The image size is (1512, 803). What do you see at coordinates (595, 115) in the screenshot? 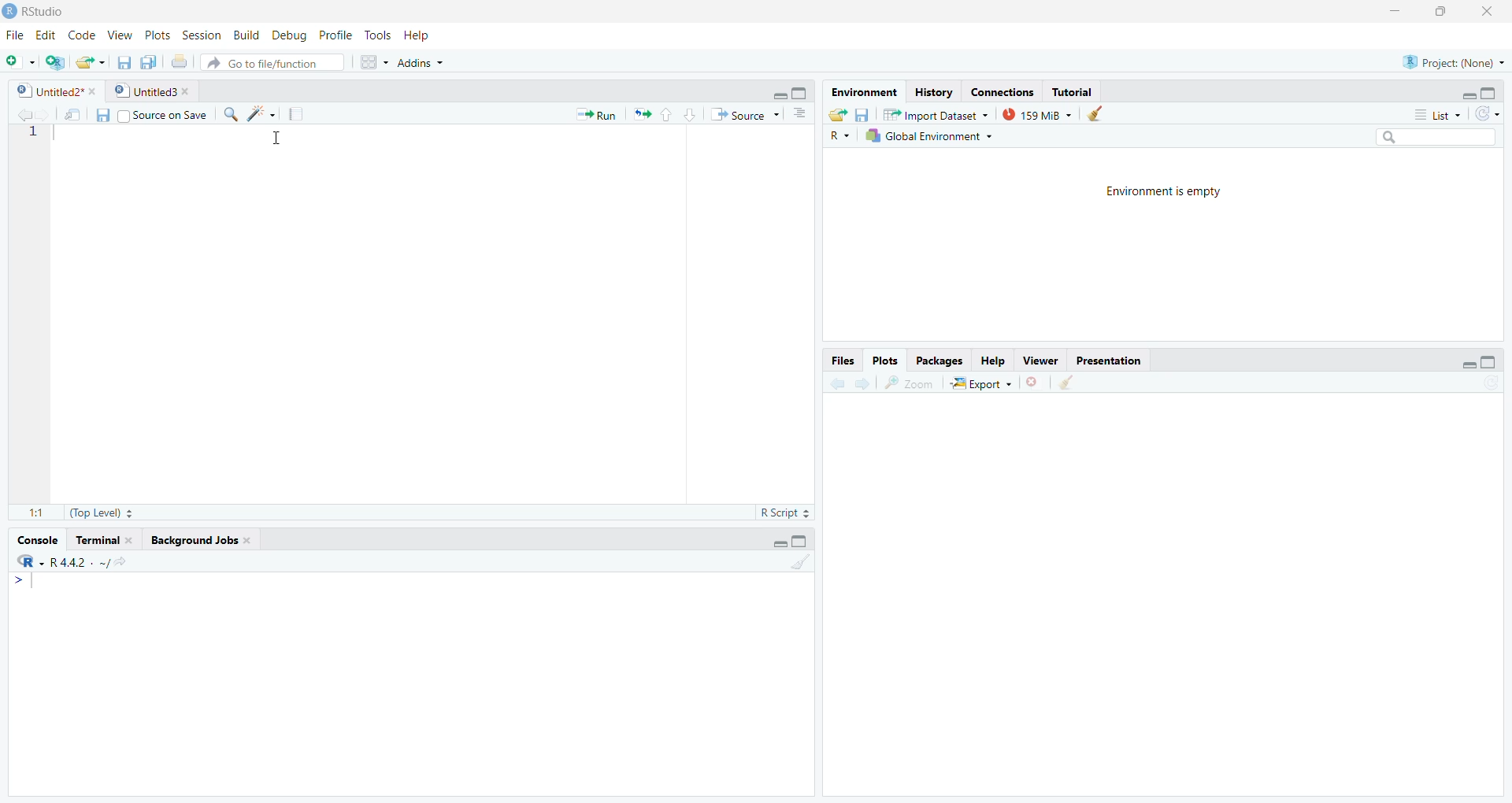
I see `Run` at bounding box center [595, 115].